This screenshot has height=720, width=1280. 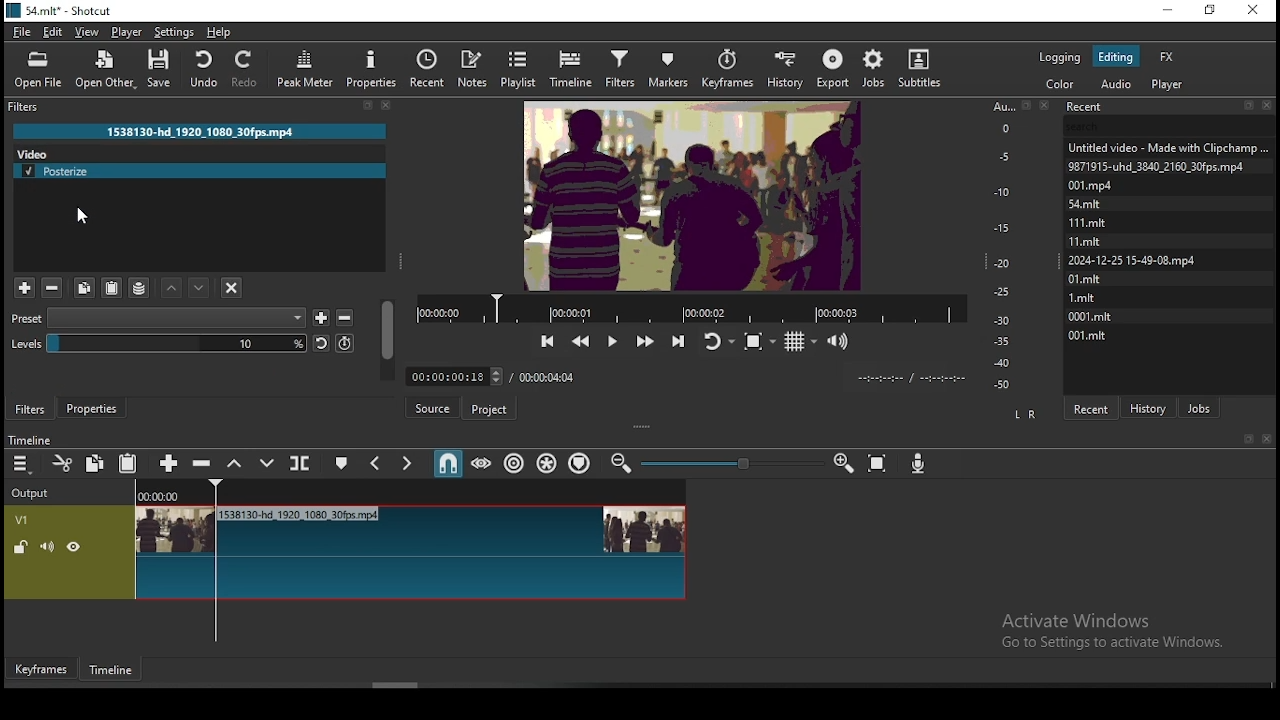 I want to click on properties, so click(x=375, y=67).